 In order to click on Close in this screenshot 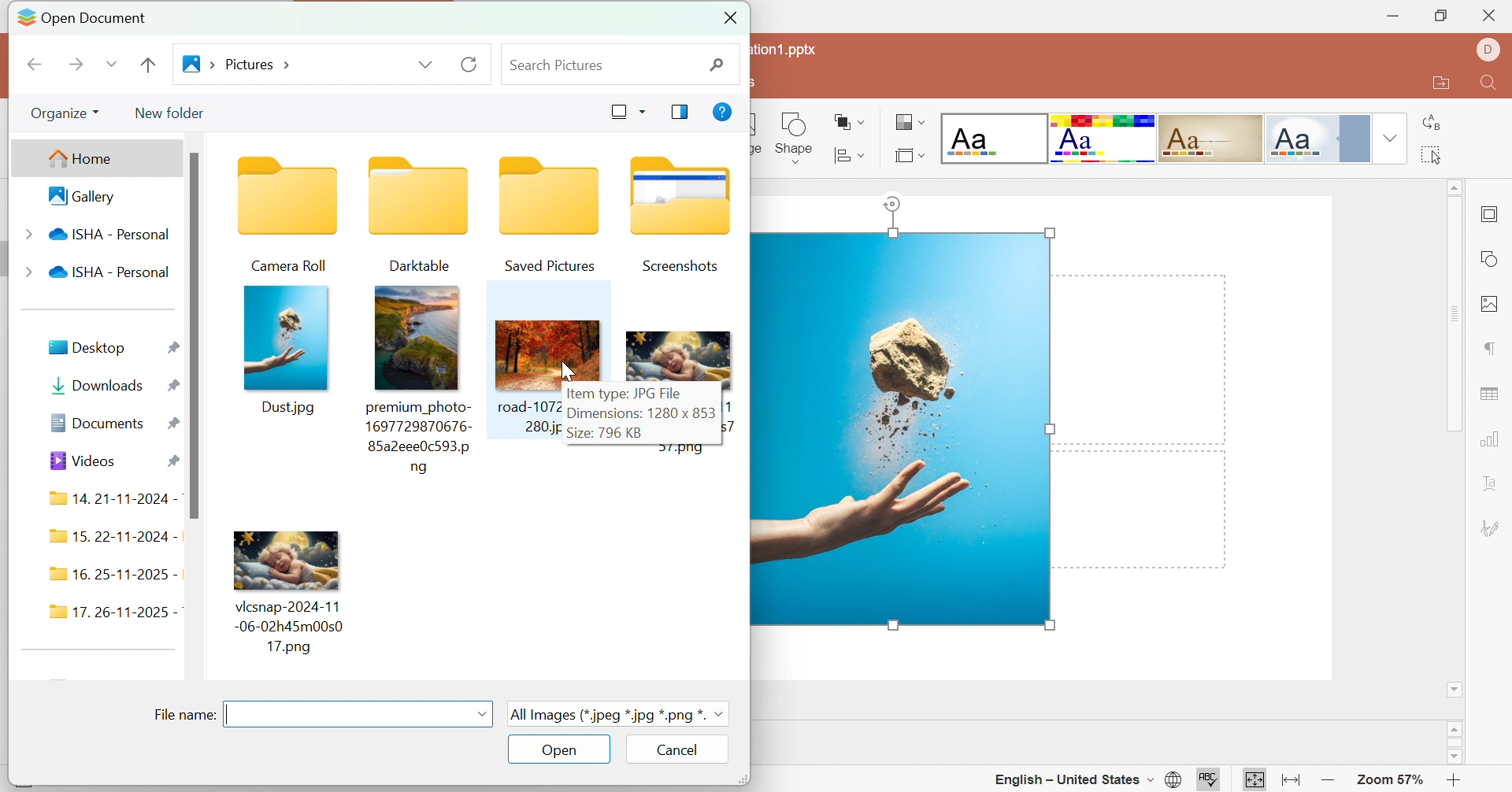, I will do `click(730, 19)`.